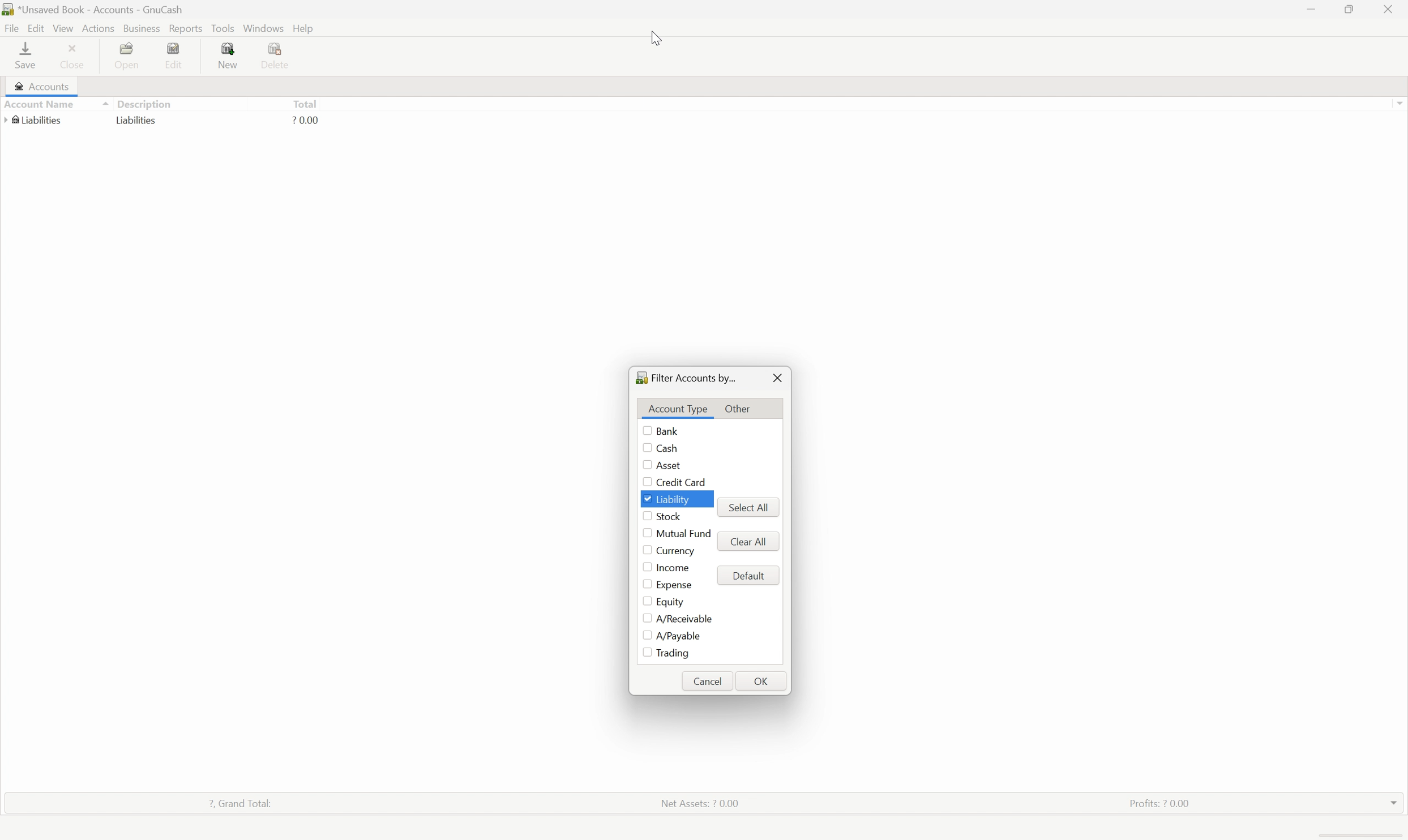 Image resolution: width=1408 pixels, height=840 pixels. I want to click on Business, so click(141, 28).